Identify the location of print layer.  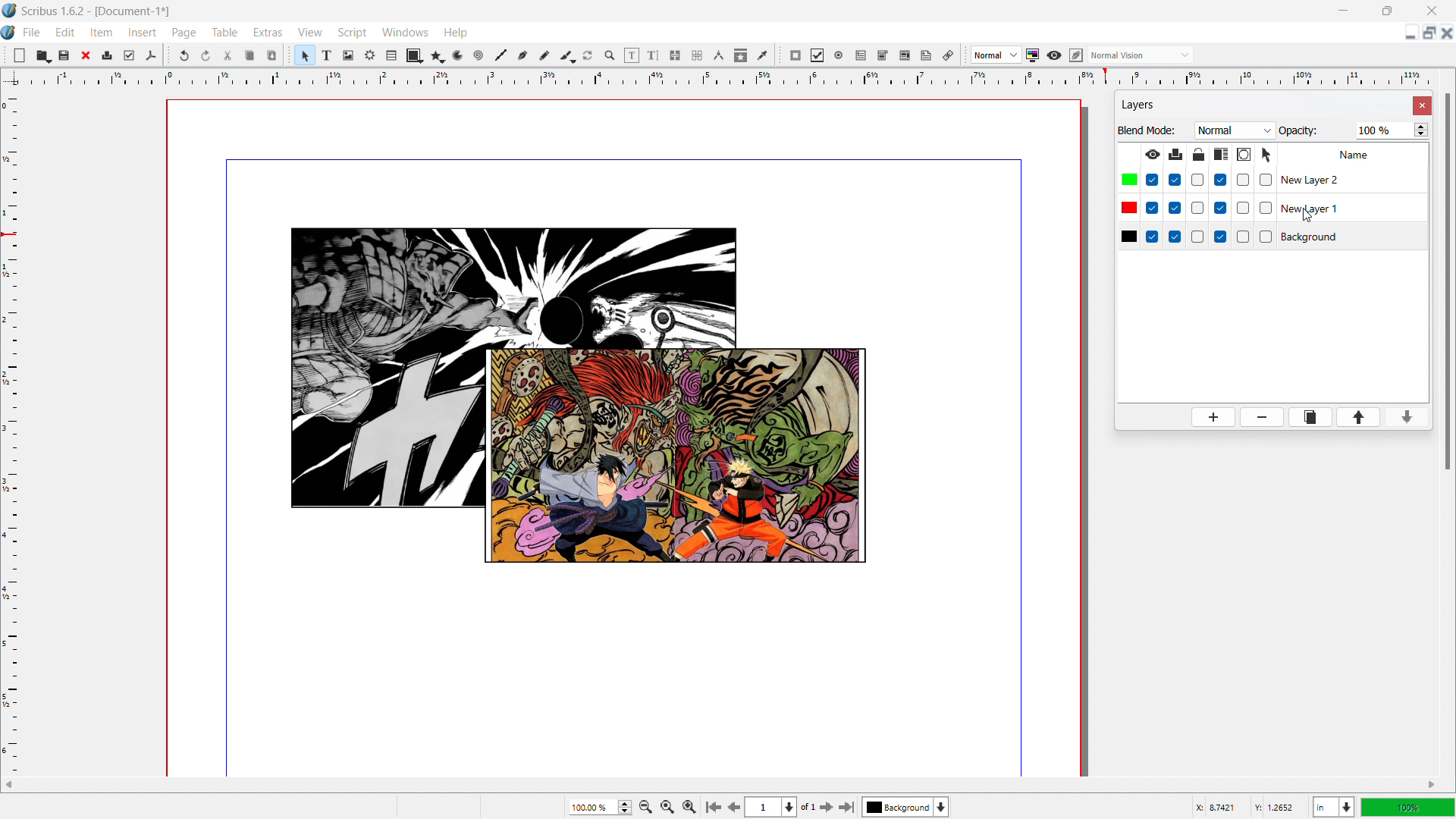
(1175, 155).